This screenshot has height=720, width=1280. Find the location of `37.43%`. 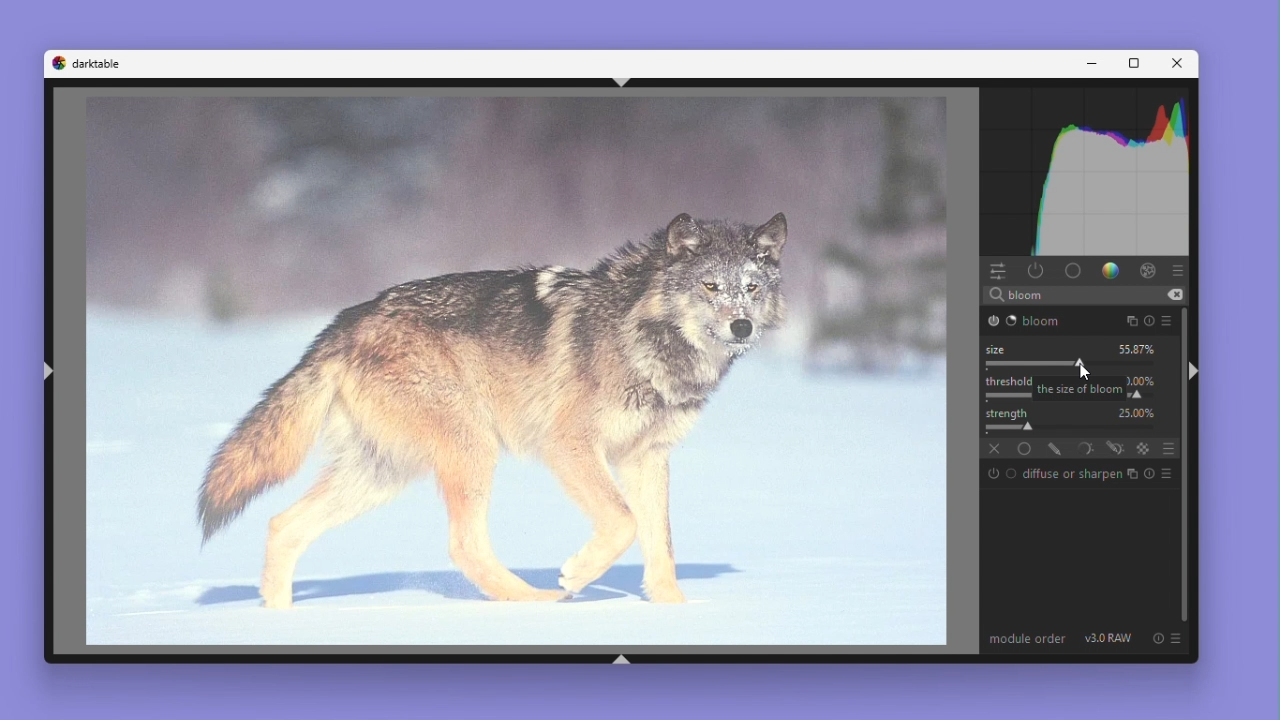

37.43% is located at coordinates (1138, 349).